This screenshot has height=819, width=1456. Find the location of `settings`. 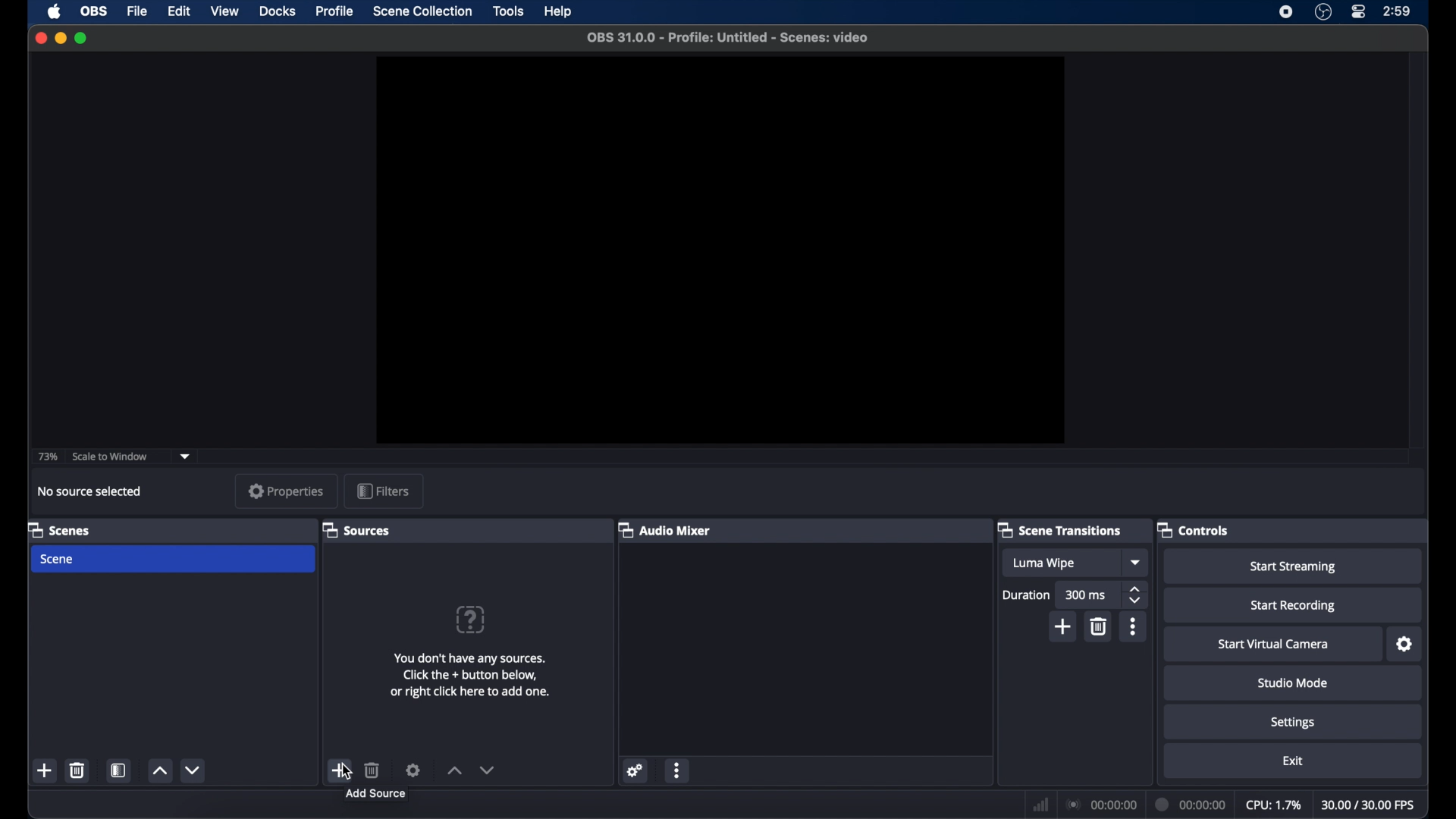

settings is located at coordinates (1406, 645).